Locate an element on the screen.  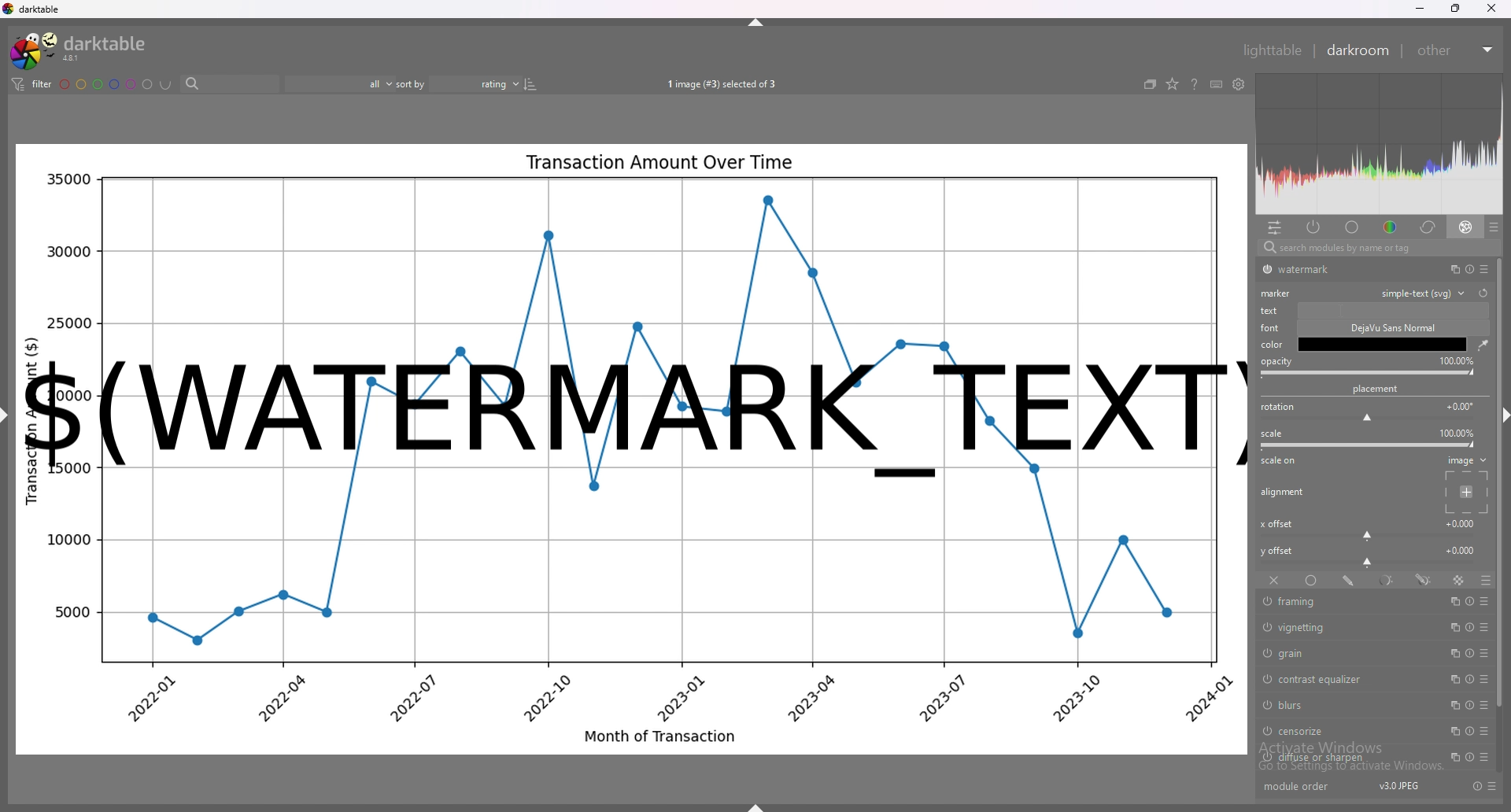
y offset is located at coordinates (1279, 551).